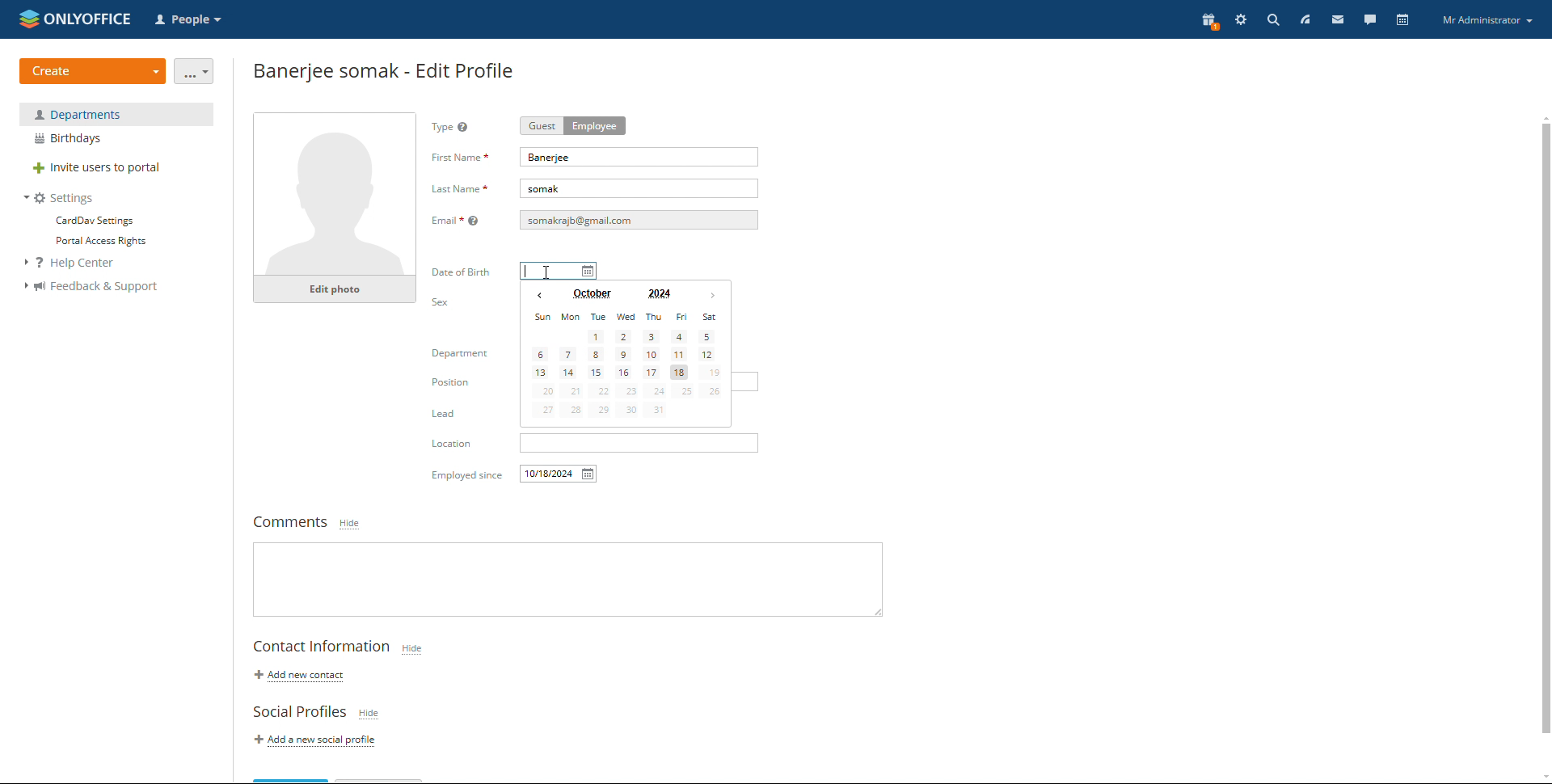 This screenshot has height=784, width=1552. Describe the element at coordinates (1241, 21) in the screenshot. I see `settings` at that location.